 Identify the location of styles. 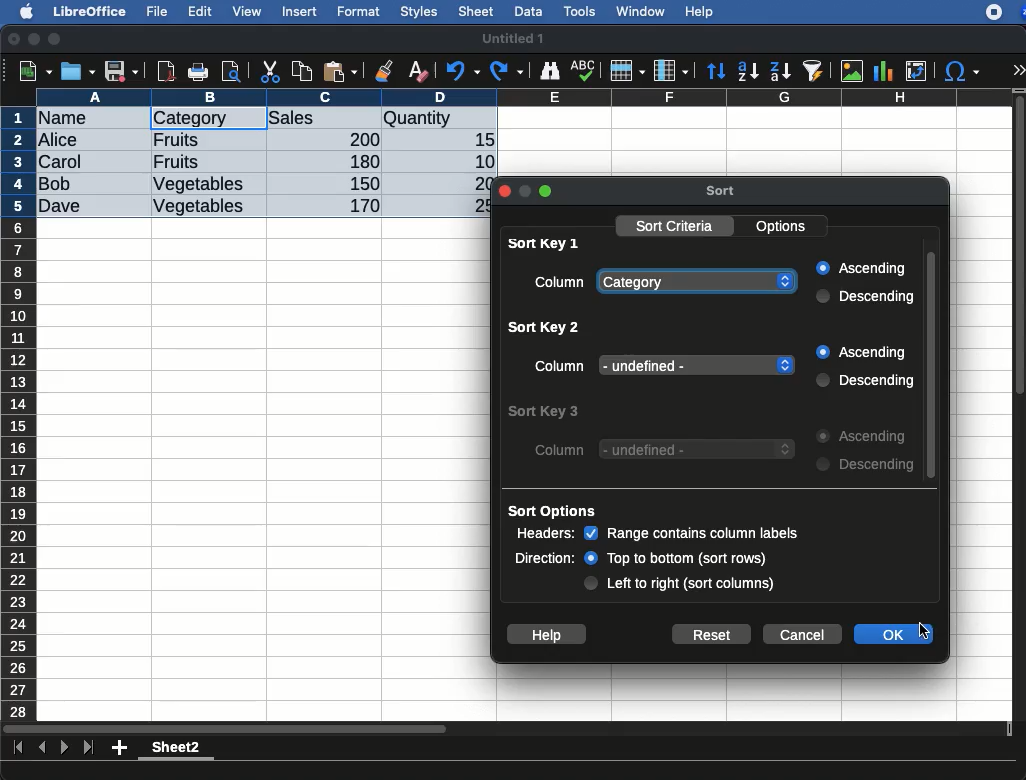
(417, 14).